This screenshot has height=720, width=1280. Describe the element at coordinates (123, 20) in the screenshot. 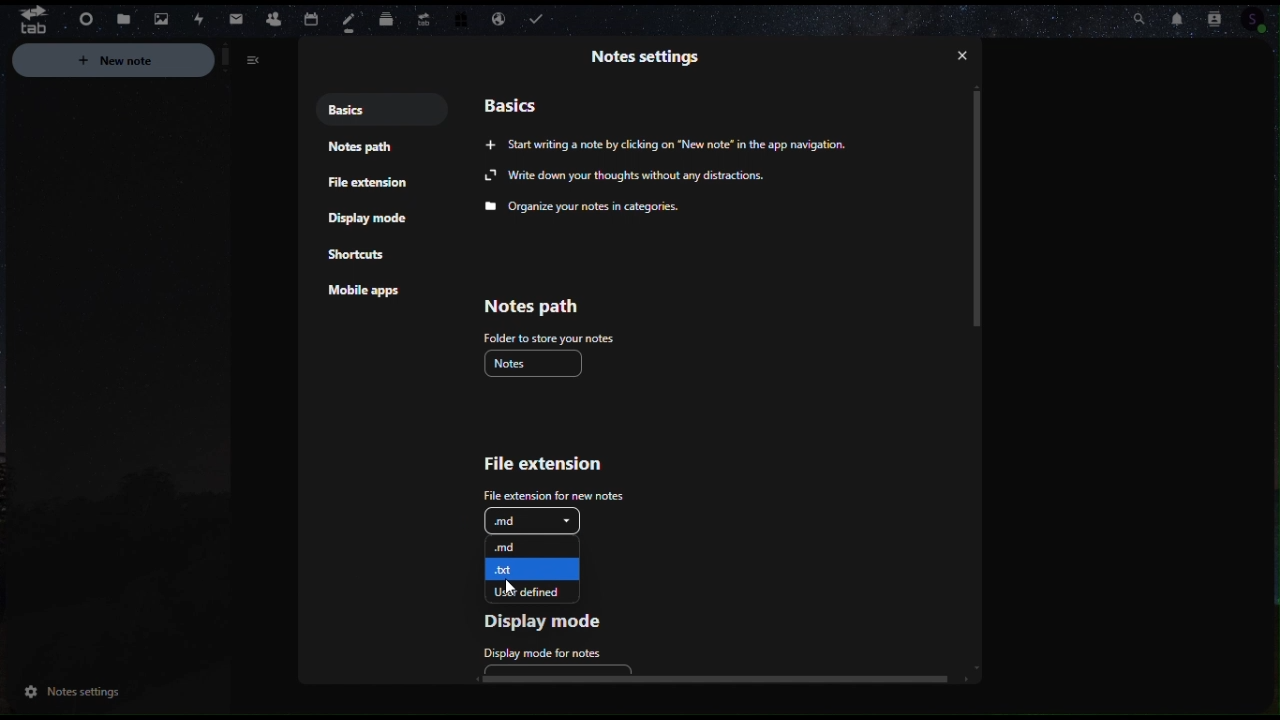

I see `Files` at that location.